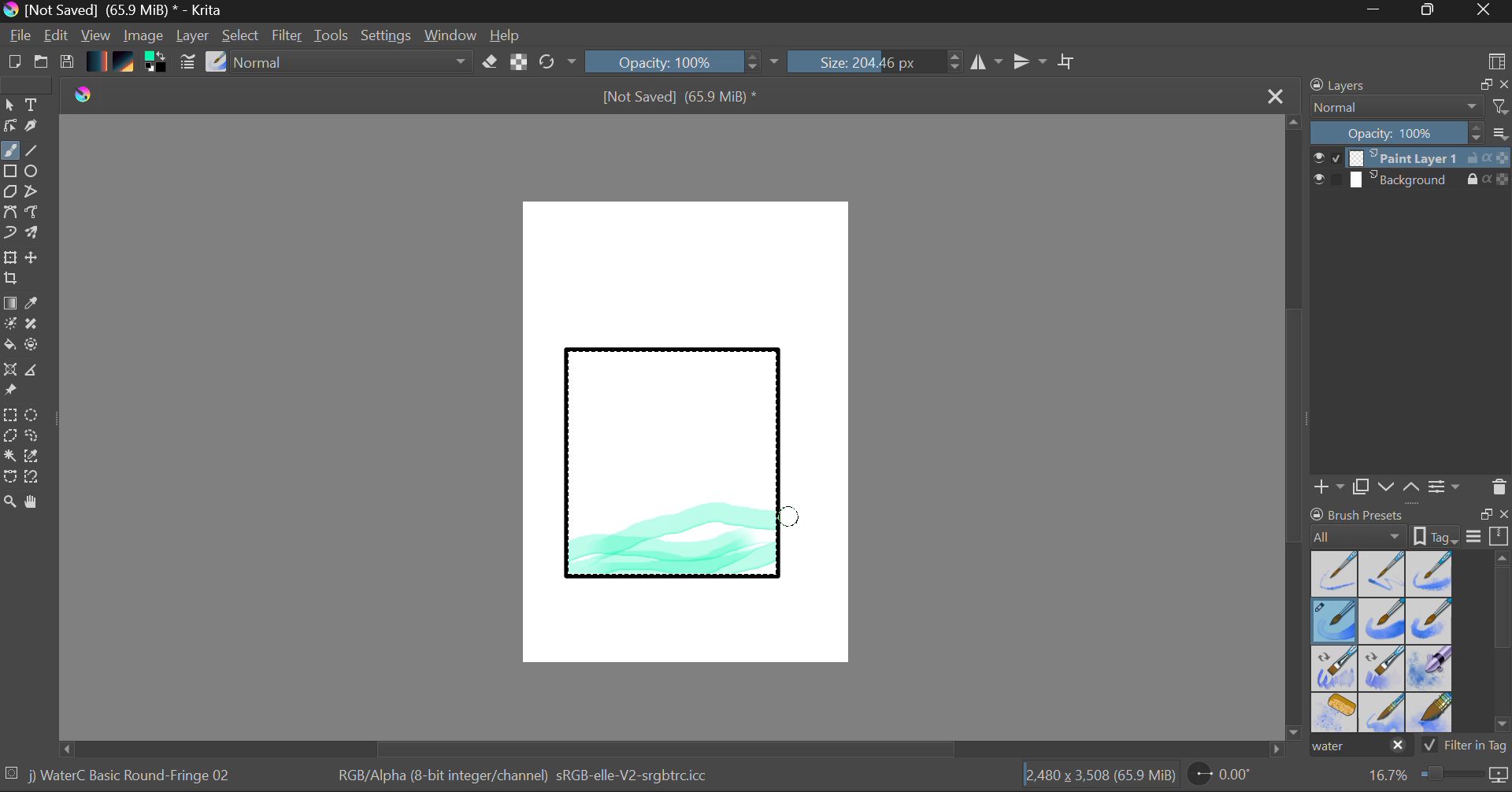 The width and height of the screenshot is (1512, 792). Describe the element at coordinates (9, 105) in the screenshot. I see `Select` at that location.